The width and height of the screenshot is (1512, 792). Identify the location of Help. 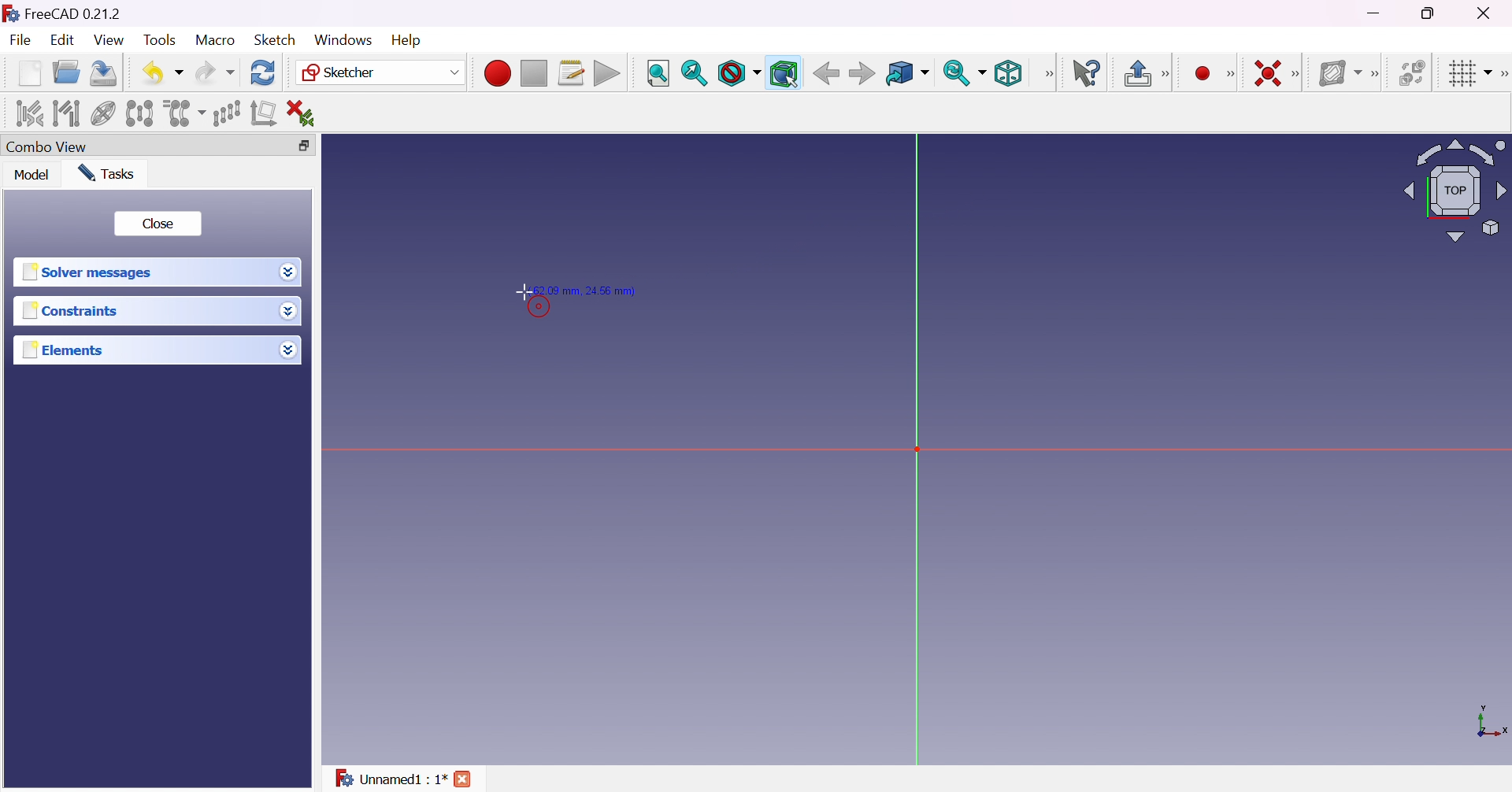
(408, 40).